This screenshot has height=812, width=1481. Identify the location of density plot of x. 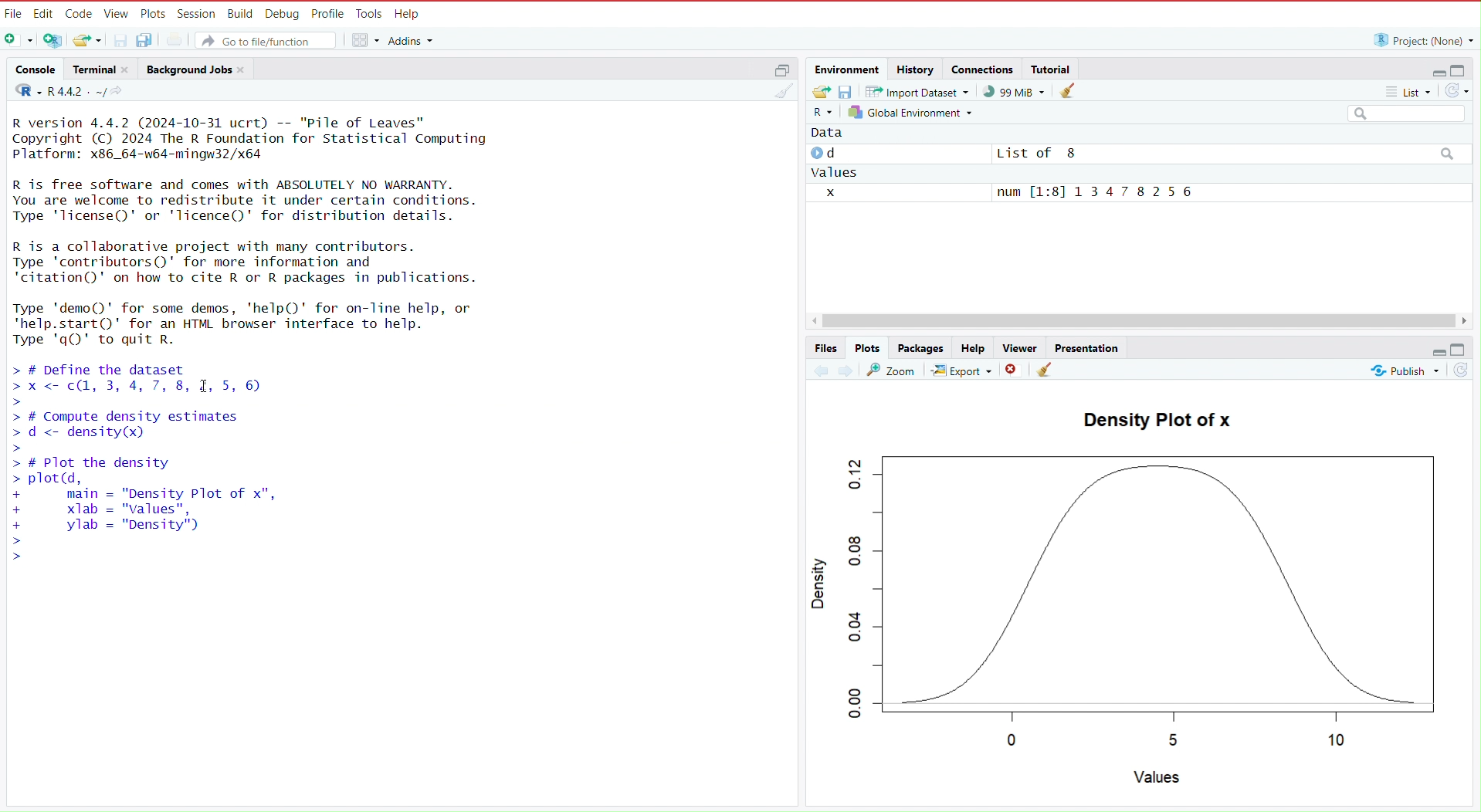
(1158, 420).